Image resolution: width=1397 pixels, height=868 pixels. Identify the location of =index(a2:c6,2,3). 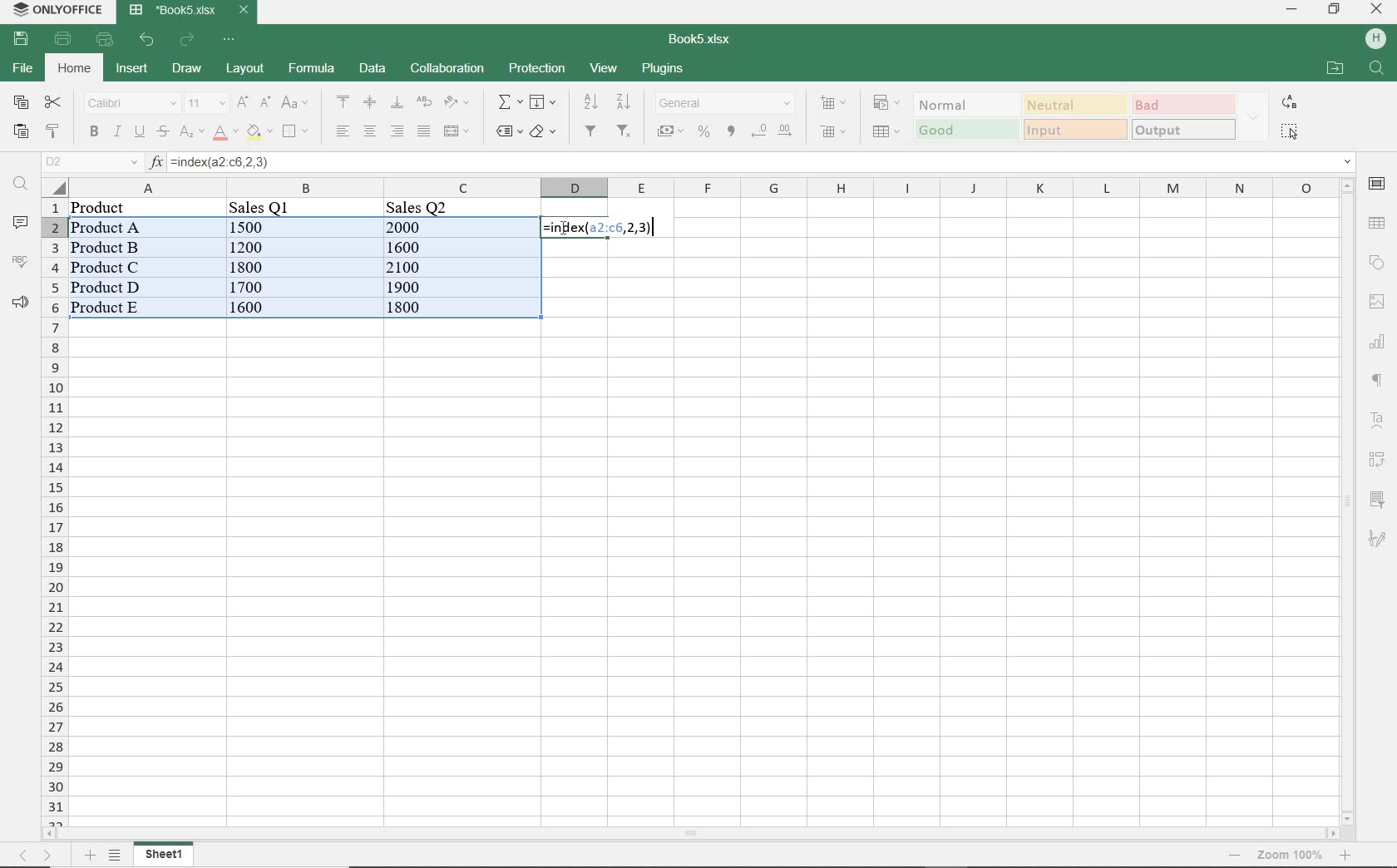
(762, 162).